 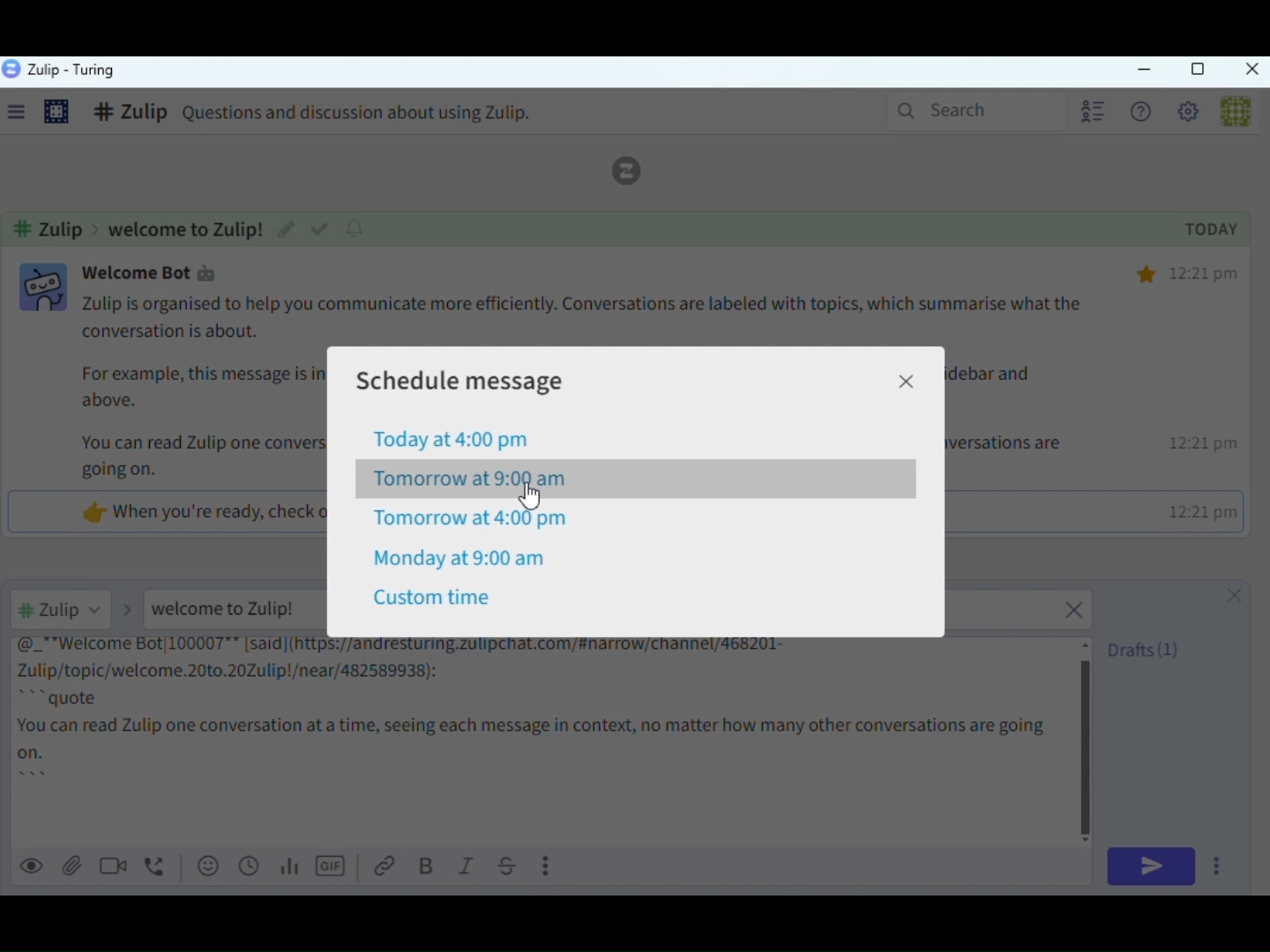 I want to click on Attachments, so click(x=72, y=866).